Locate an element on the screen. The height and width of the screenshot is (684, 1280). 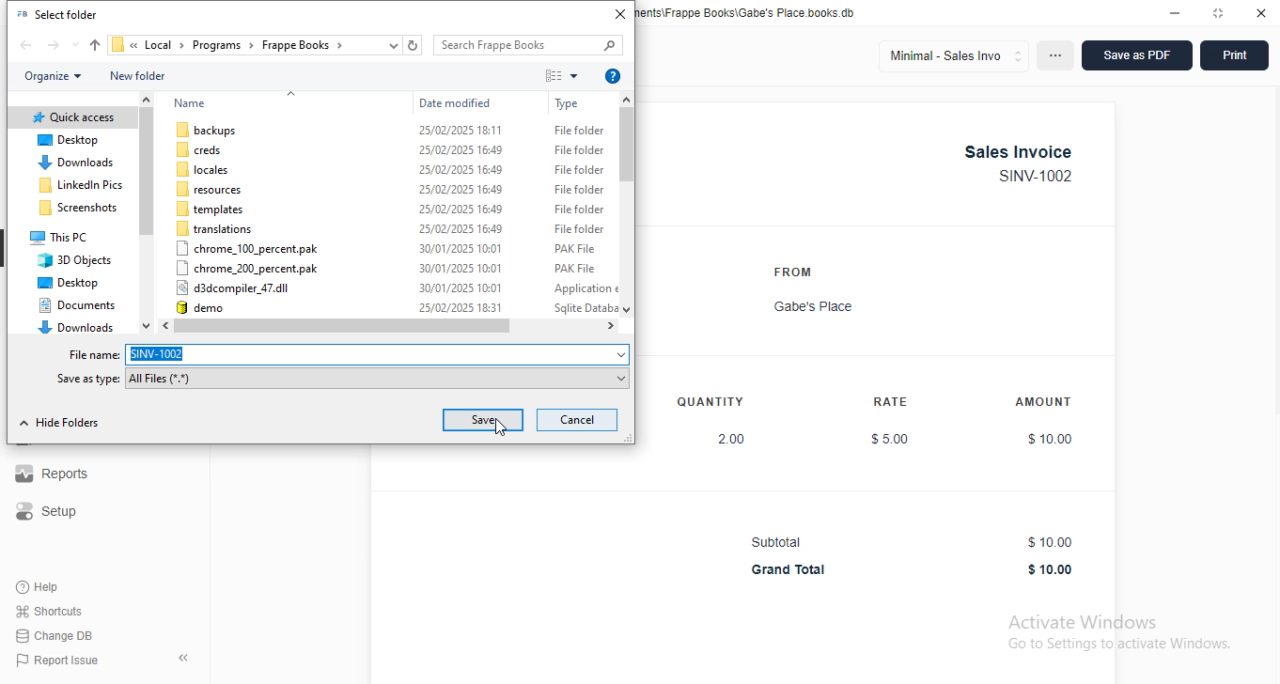
drop down is located at coordinates (135, 45).